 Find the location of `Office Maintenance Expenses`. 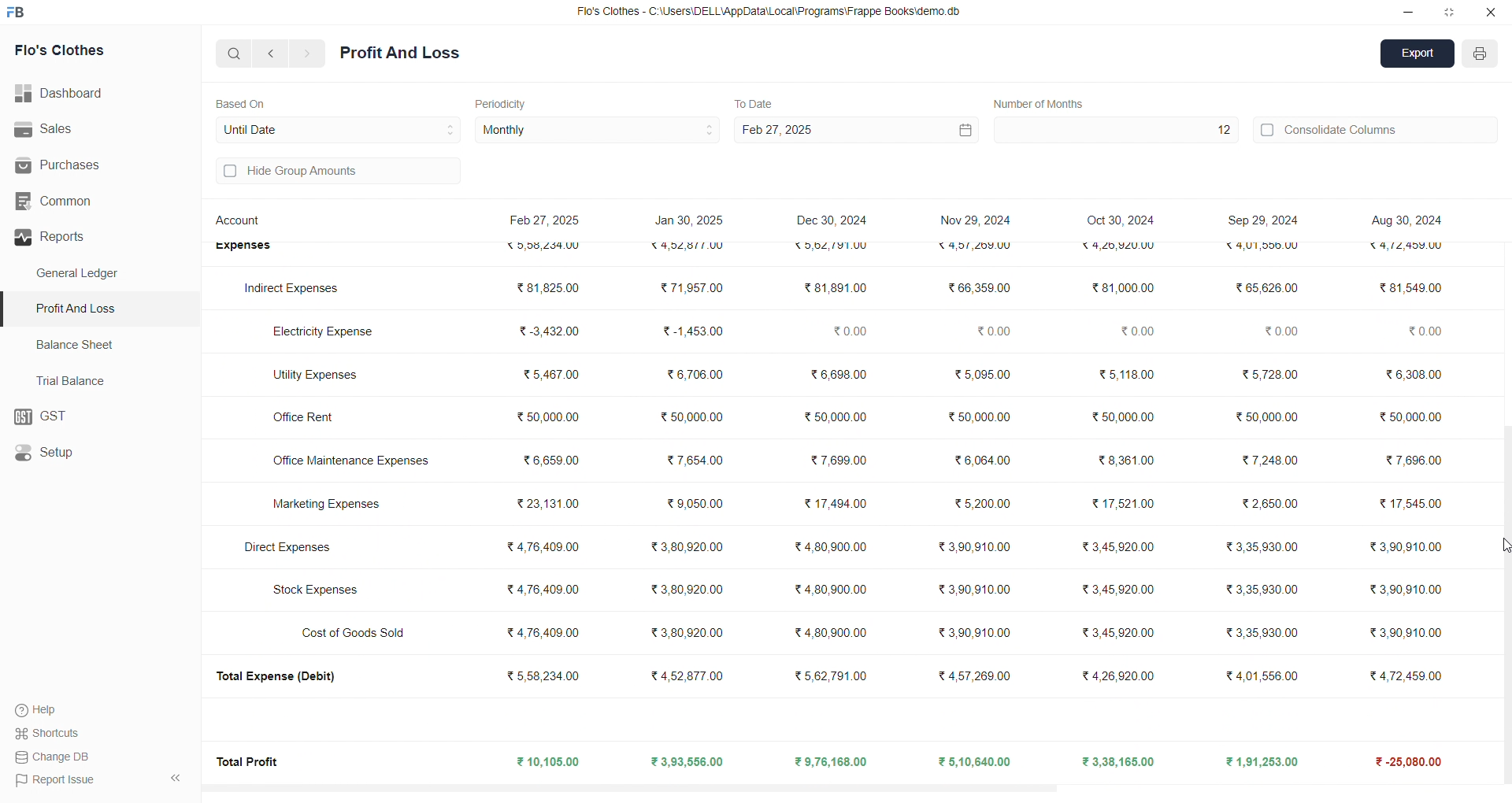

Office Maintenance Expenses is located at coordinates (354, 461).